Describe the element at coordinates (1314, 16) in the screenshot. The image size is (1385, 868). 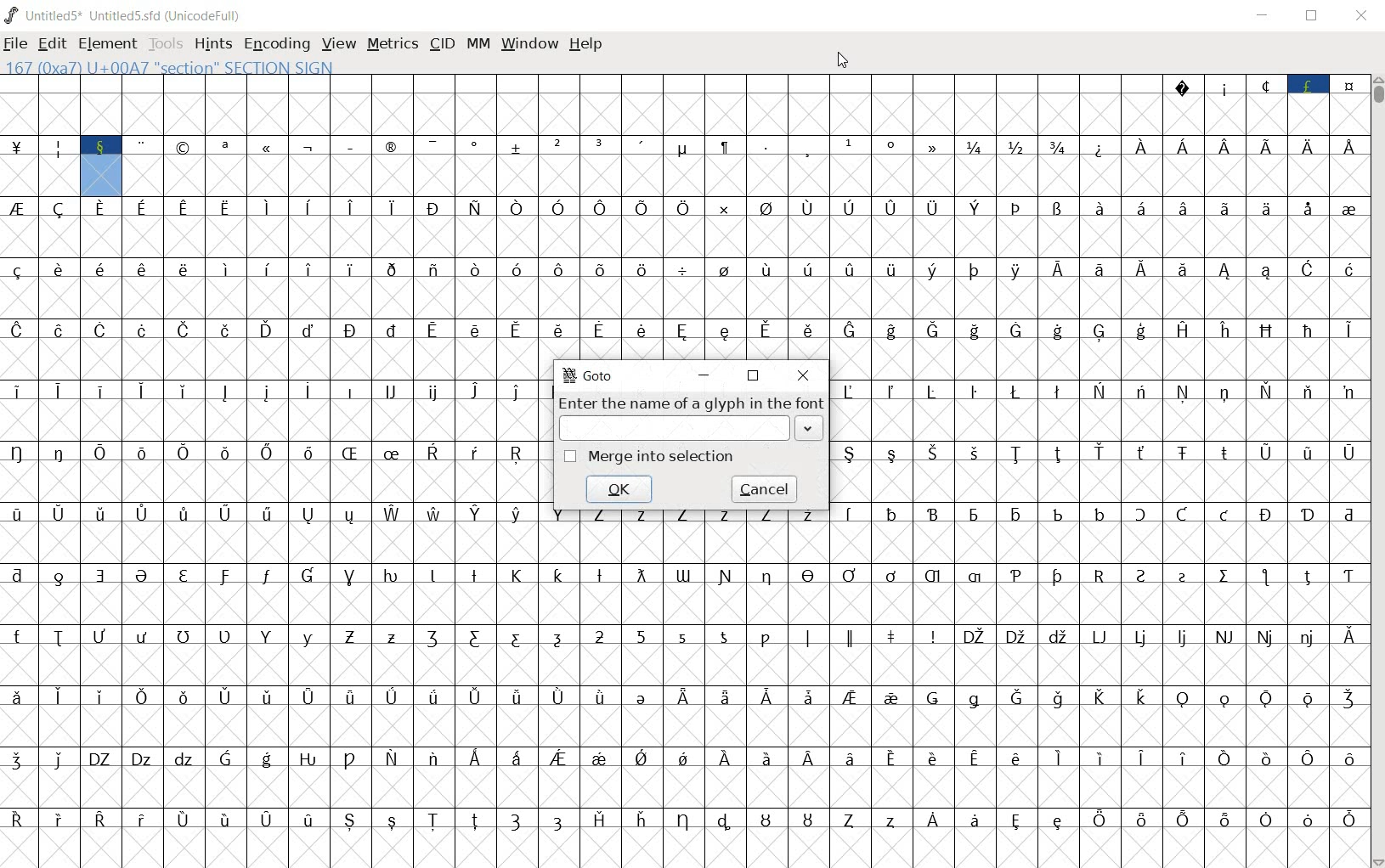
I see `restore down` at that location.